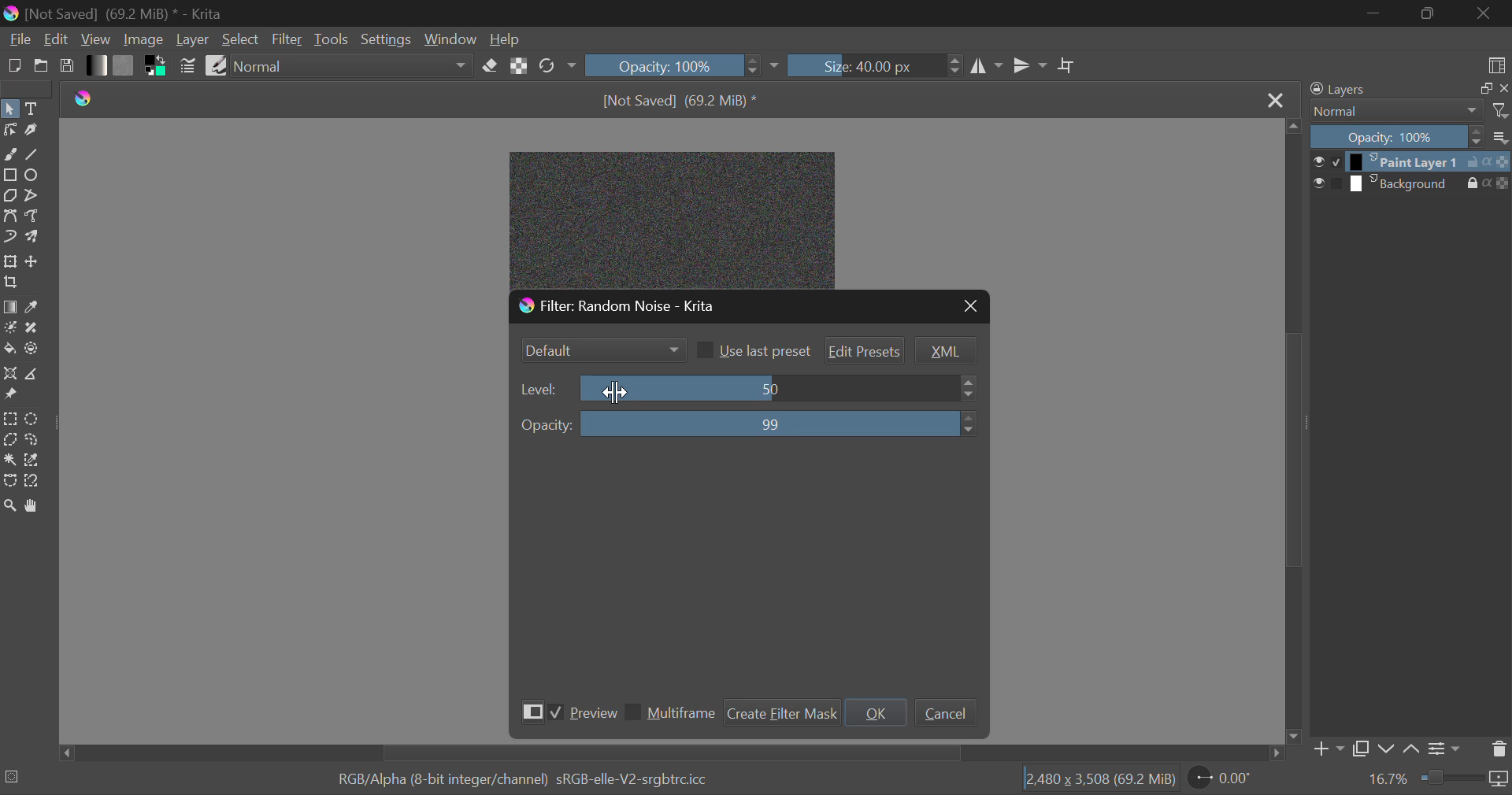  I want to click on Rectangle, so click(9, 173).